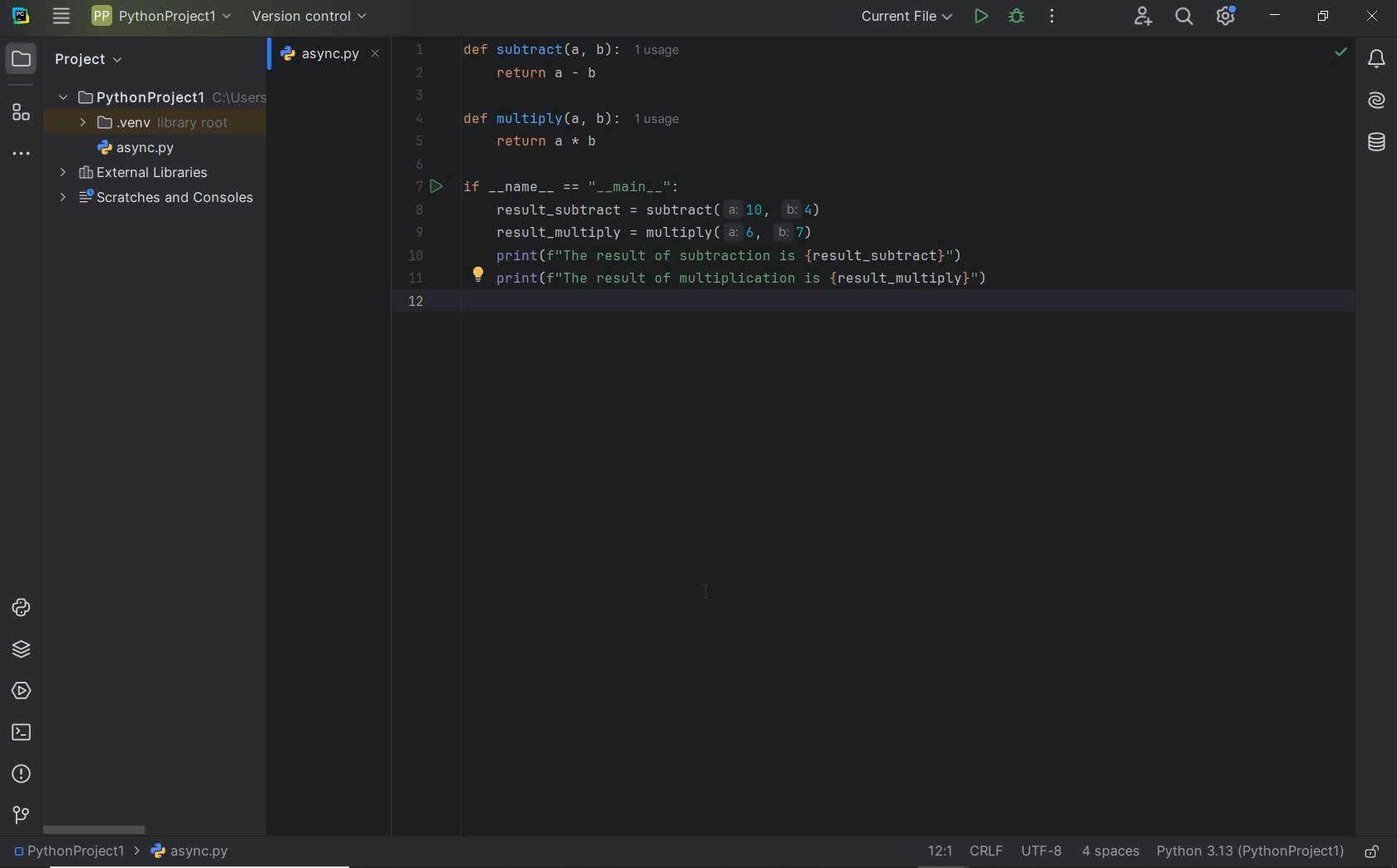  Describe the element at coordinates (1052, 17) in the screenshot. I see `more actions` at that location.